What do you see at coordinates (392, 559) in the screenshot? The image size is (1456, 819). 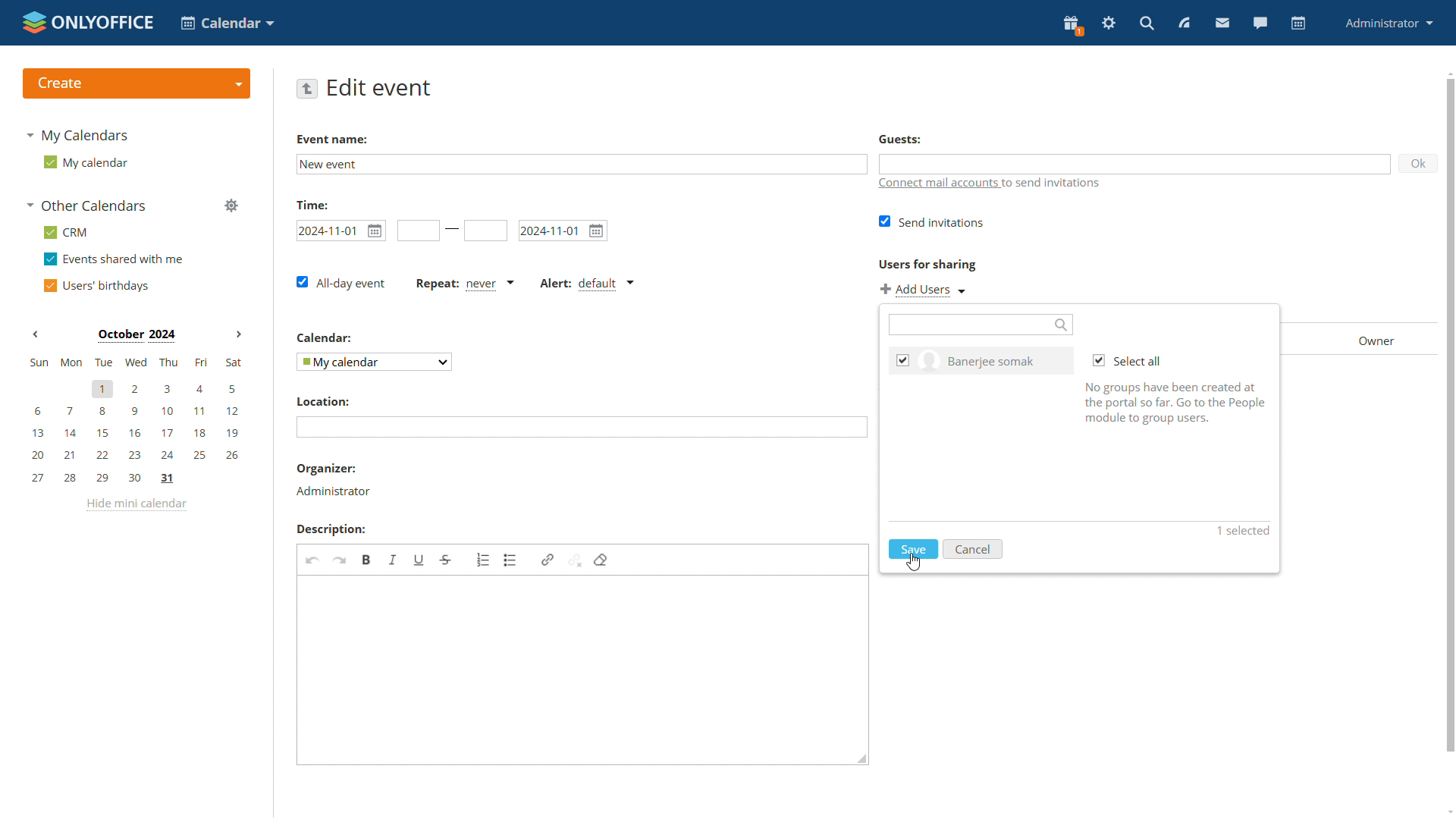 I see `italic` at bounding box center [392, 559].